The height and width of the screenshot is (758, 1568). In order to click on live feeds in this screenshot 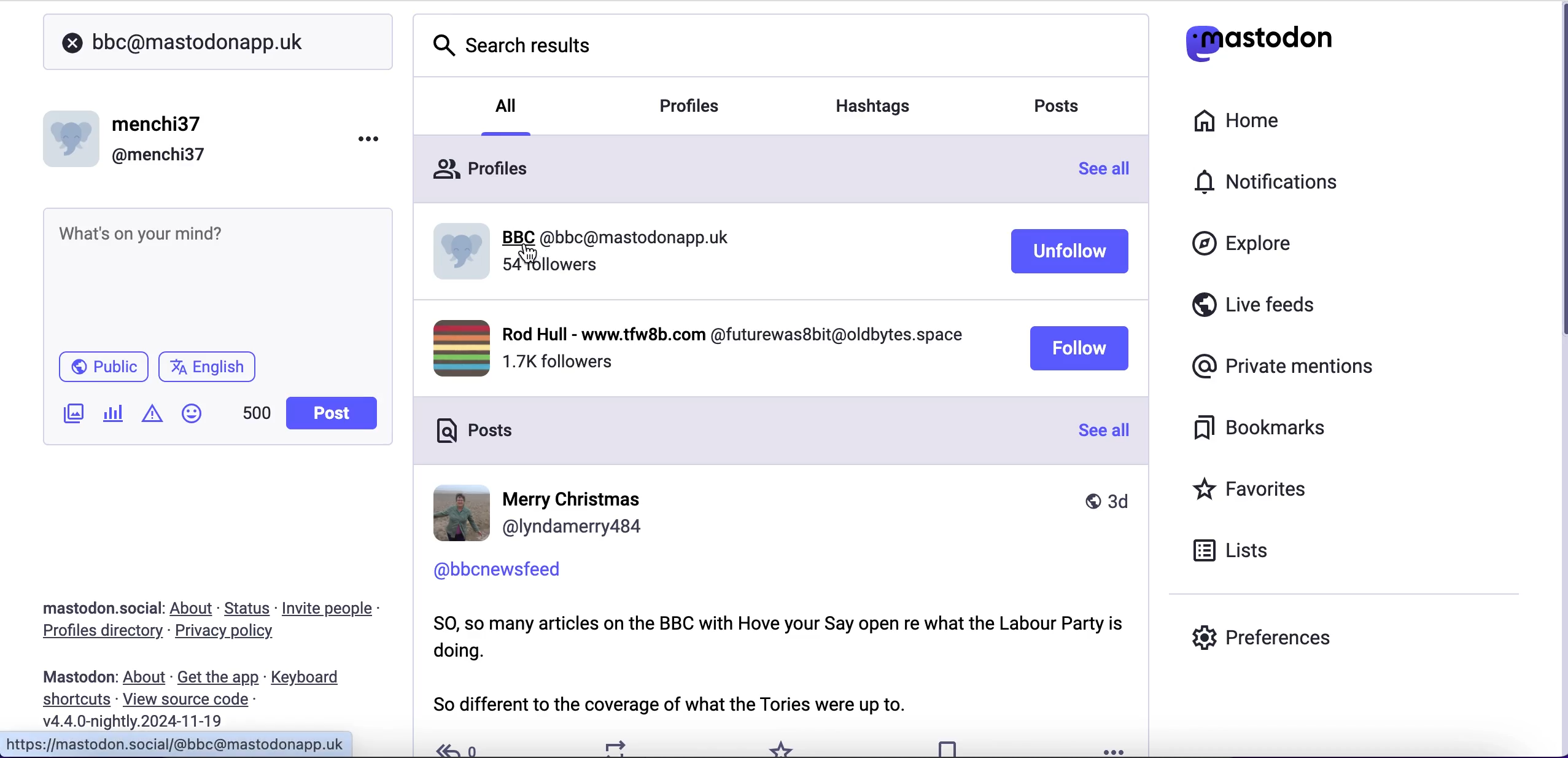, I will do `click(1254, 309)`.